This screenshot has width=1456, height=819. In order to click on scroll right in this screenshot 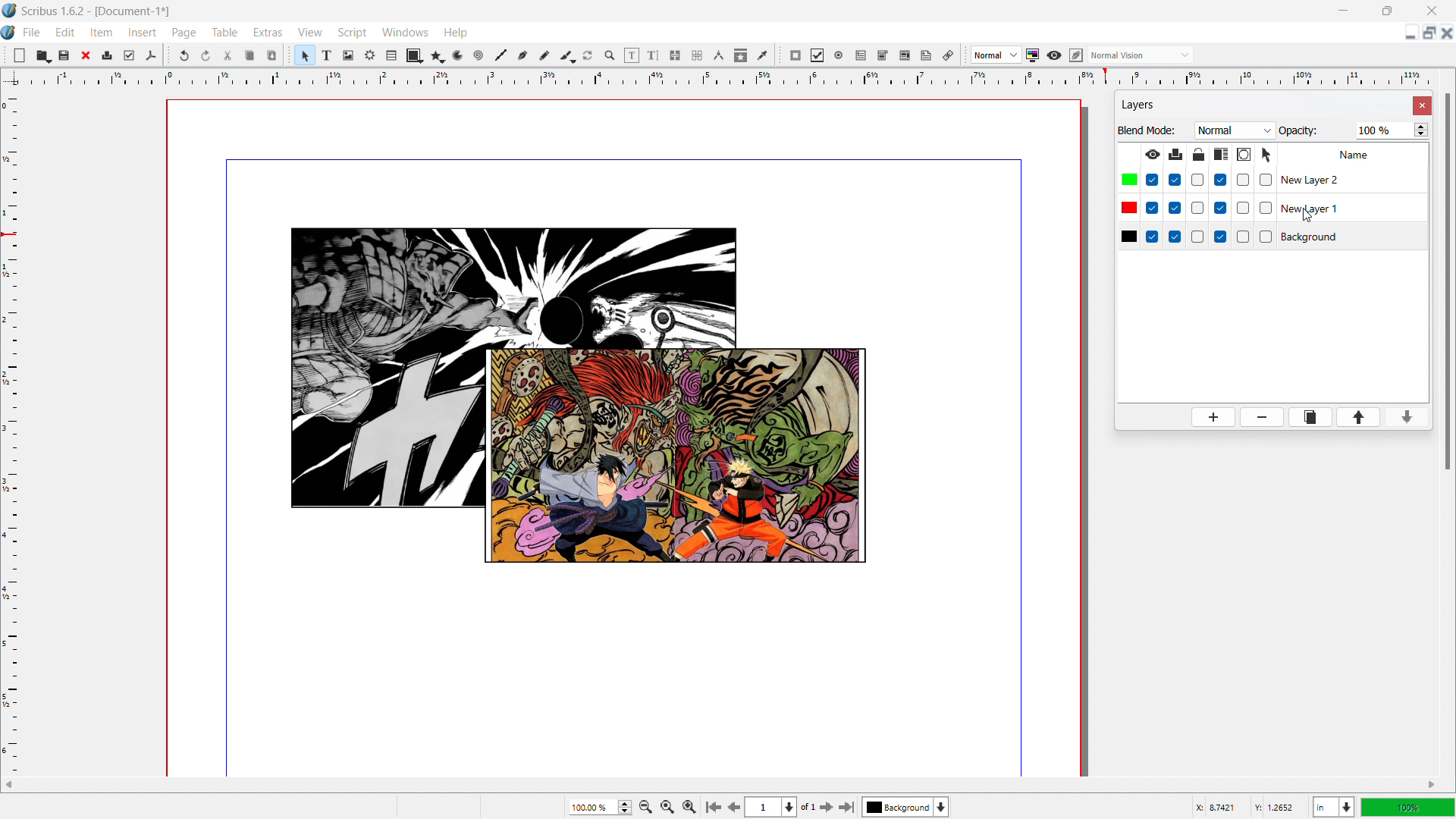, I will do `click(1430, 786)`.